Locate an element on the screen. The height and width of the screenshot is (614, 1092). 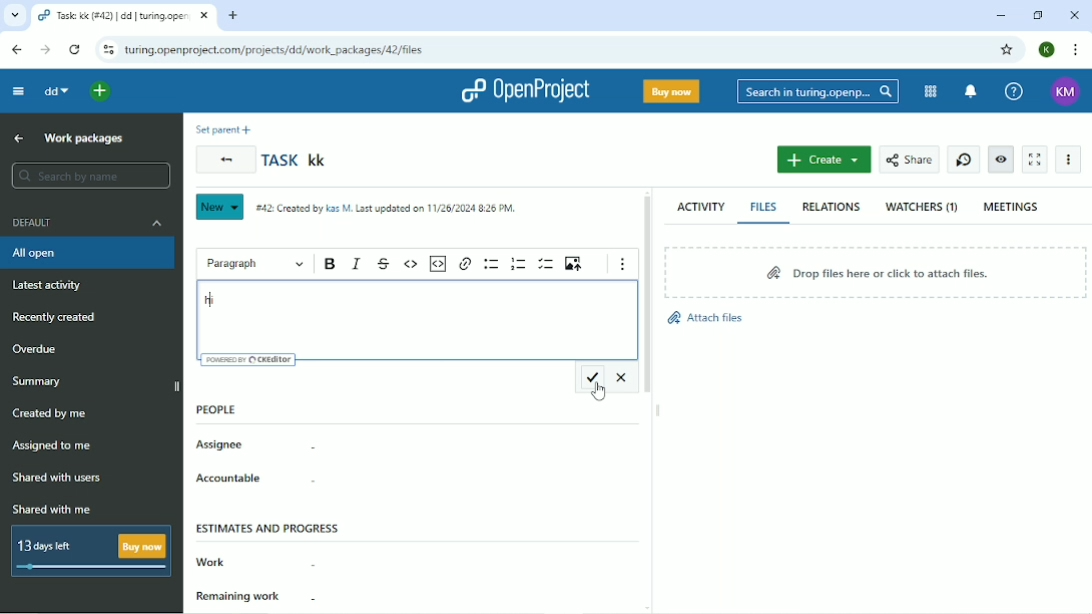
Task kk is located at coordinates (297, 161).